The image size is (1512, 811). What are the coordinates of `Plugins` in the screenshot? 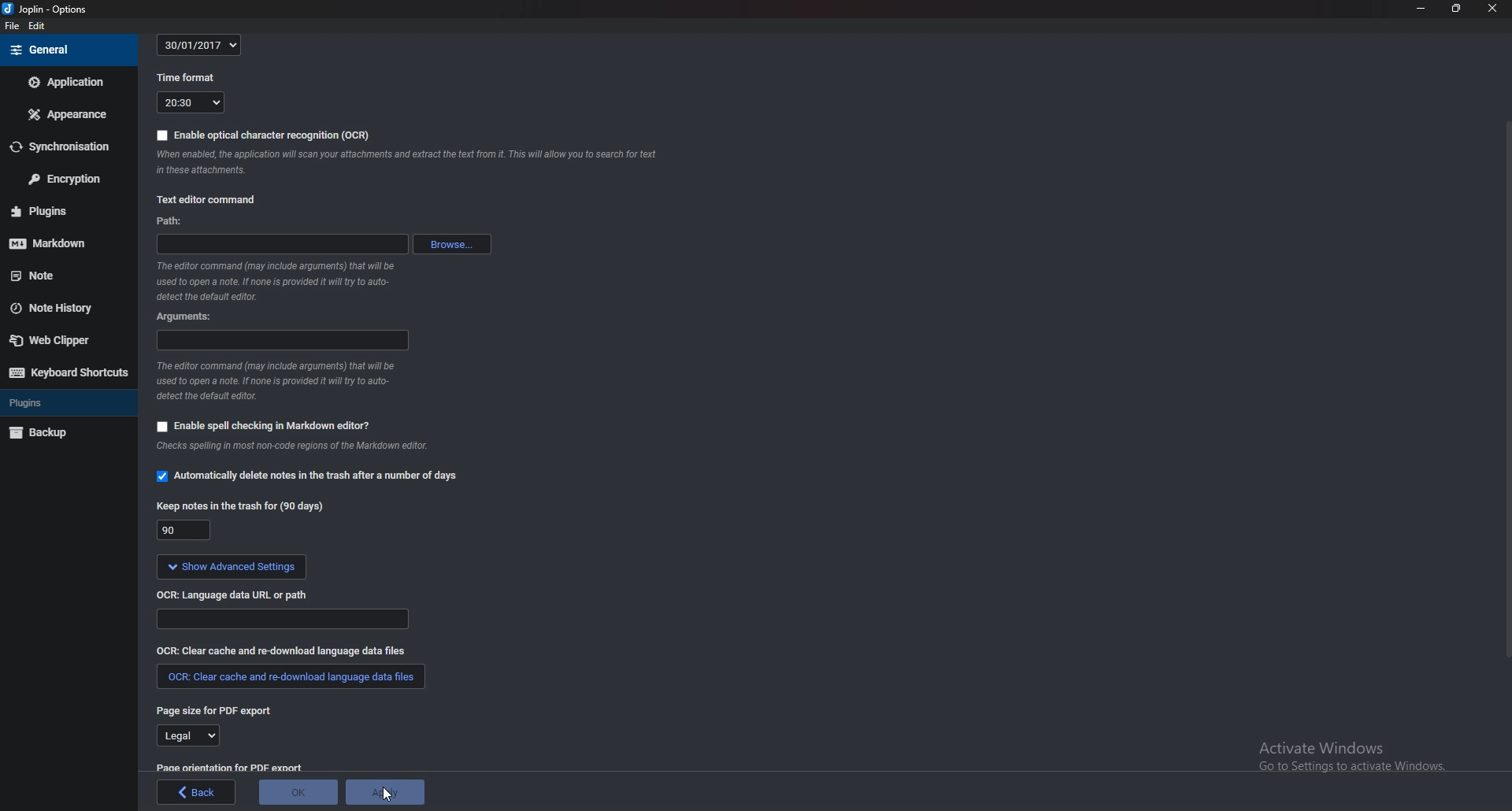 It's located at (64, 210).